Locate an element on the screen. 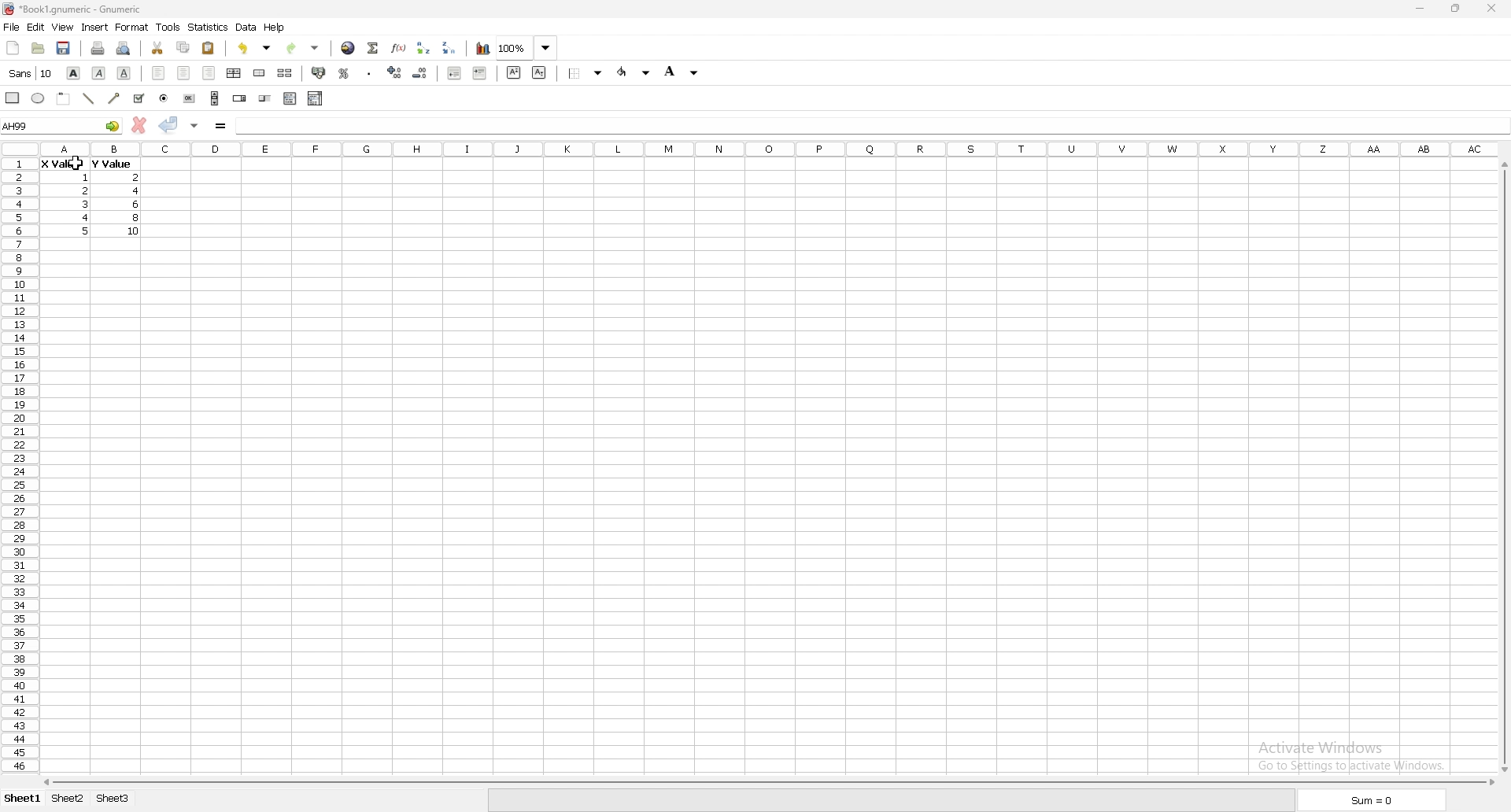  new is located at coordinates (13, 47).